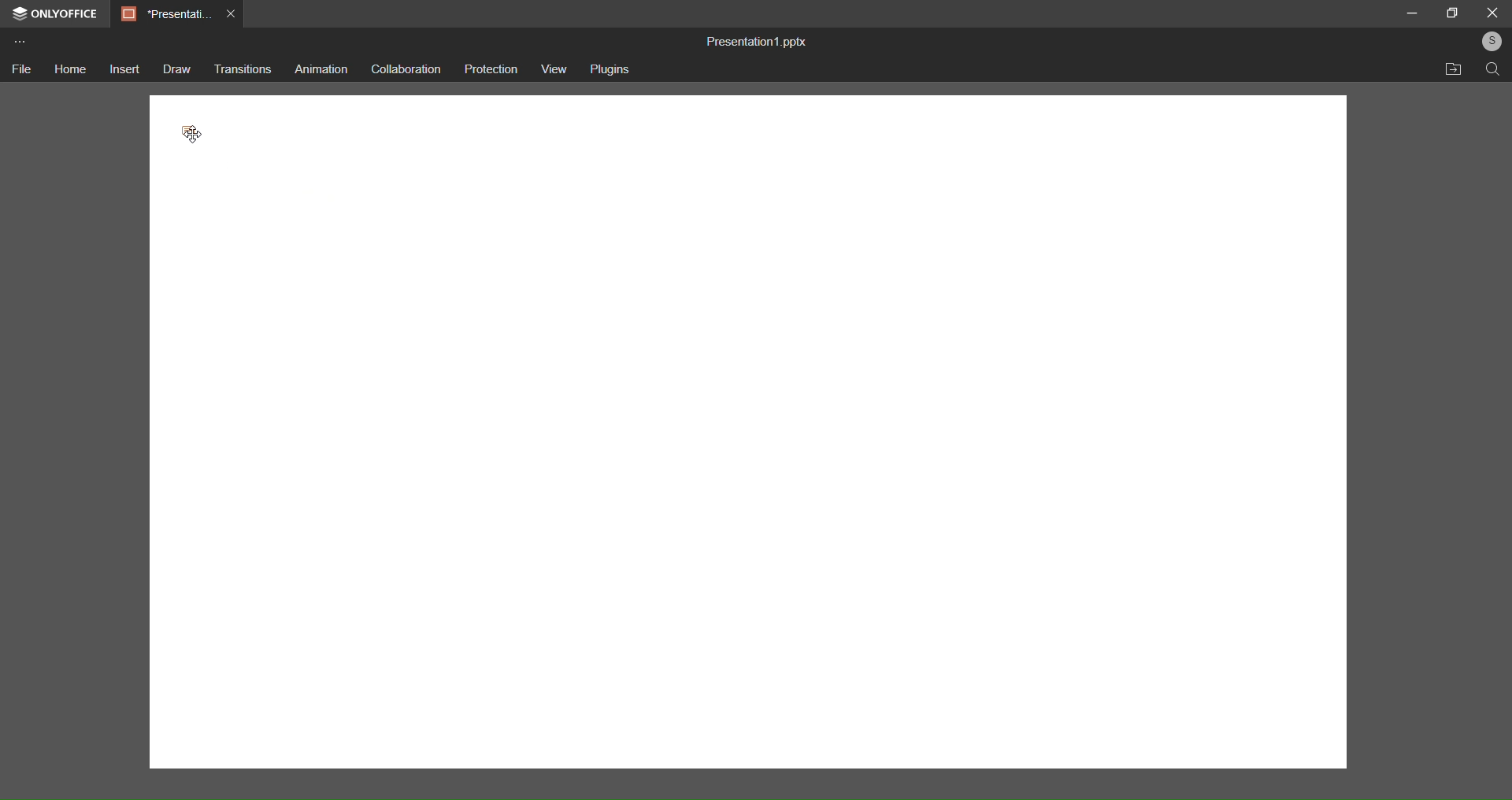  Describe the element at coordinates (54, 13) in the screenshot. I see `onlyoffice` at that location.